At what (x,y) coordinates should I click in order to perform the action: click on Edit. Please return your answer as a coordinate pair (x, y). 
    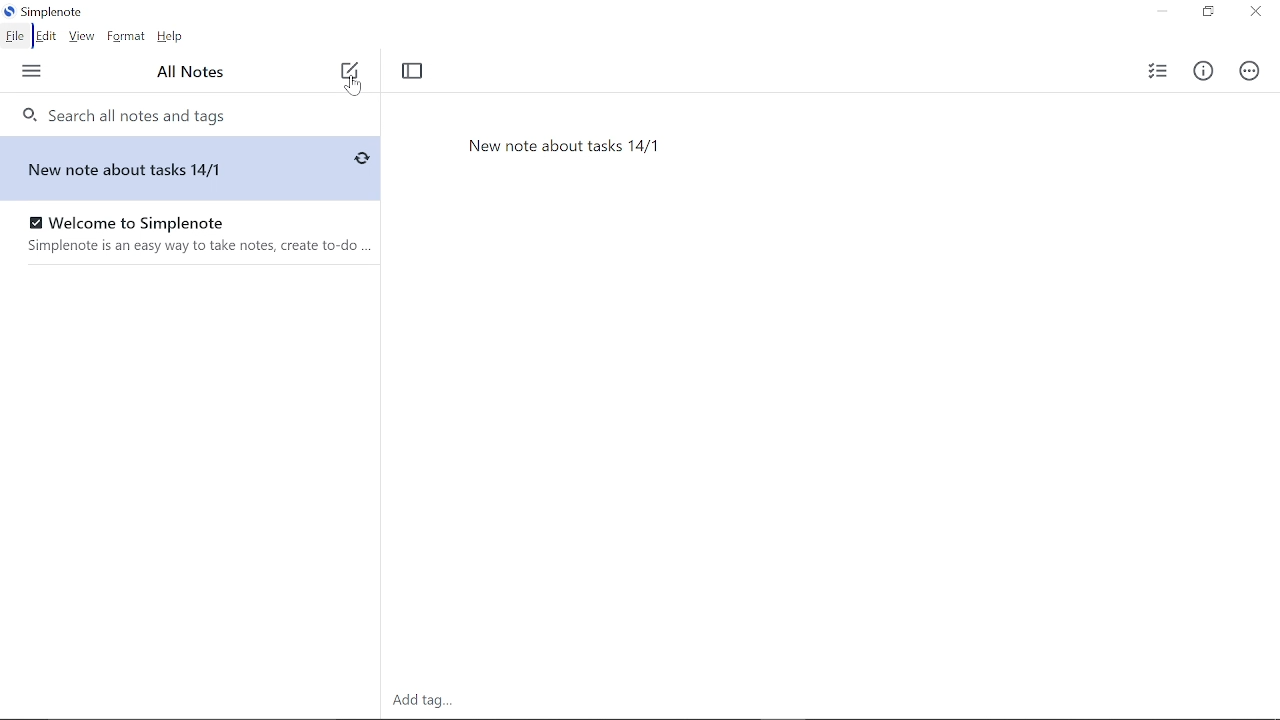
    Looking at the image, I should click on (45, 37).